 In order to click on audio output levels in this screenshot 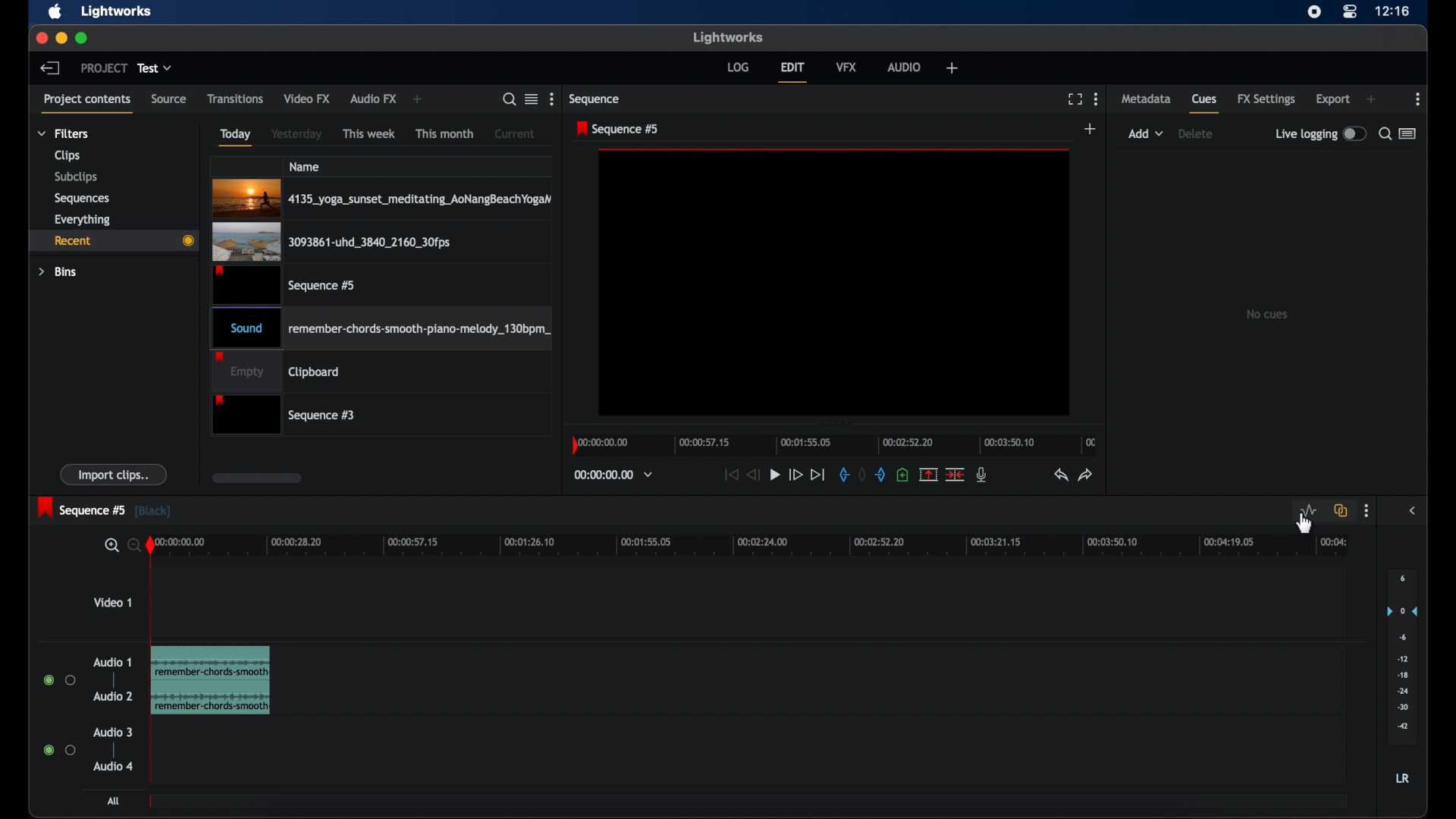, I will do `click(1401, 655)`.